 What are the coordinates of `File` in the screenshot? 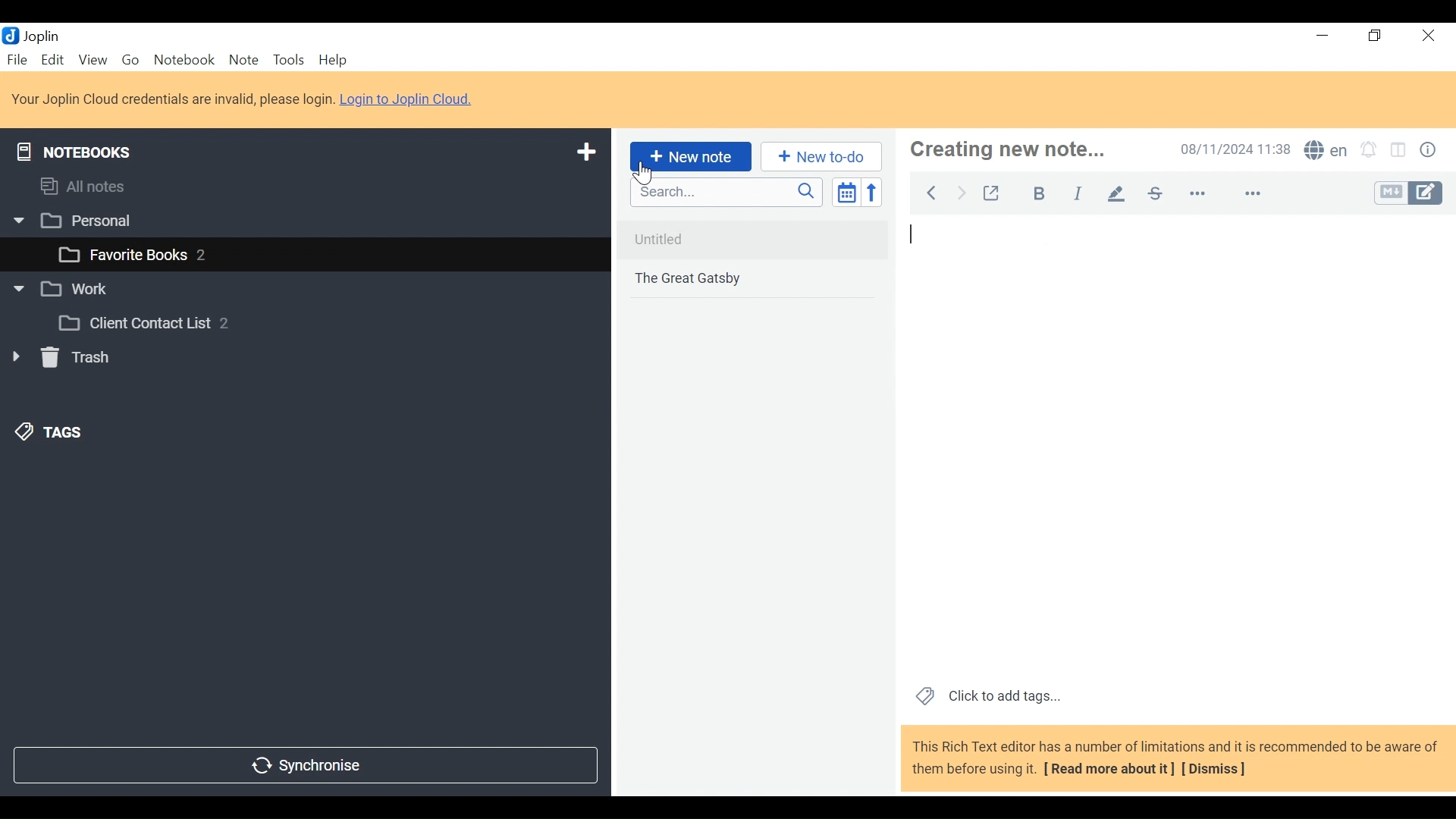 It's located at (17, 58).